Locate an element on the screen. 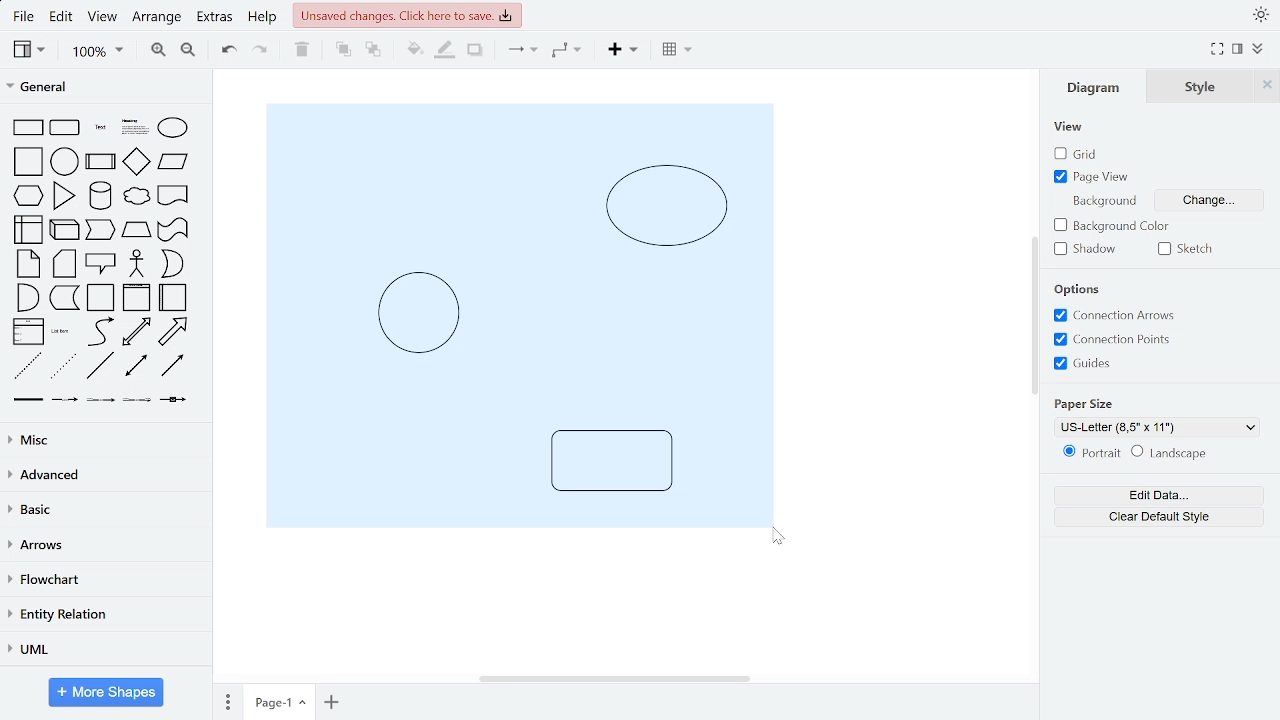 Image resolution: width=1280 pixels, height=720 pixels. style is located at coordinates (1205, 86).